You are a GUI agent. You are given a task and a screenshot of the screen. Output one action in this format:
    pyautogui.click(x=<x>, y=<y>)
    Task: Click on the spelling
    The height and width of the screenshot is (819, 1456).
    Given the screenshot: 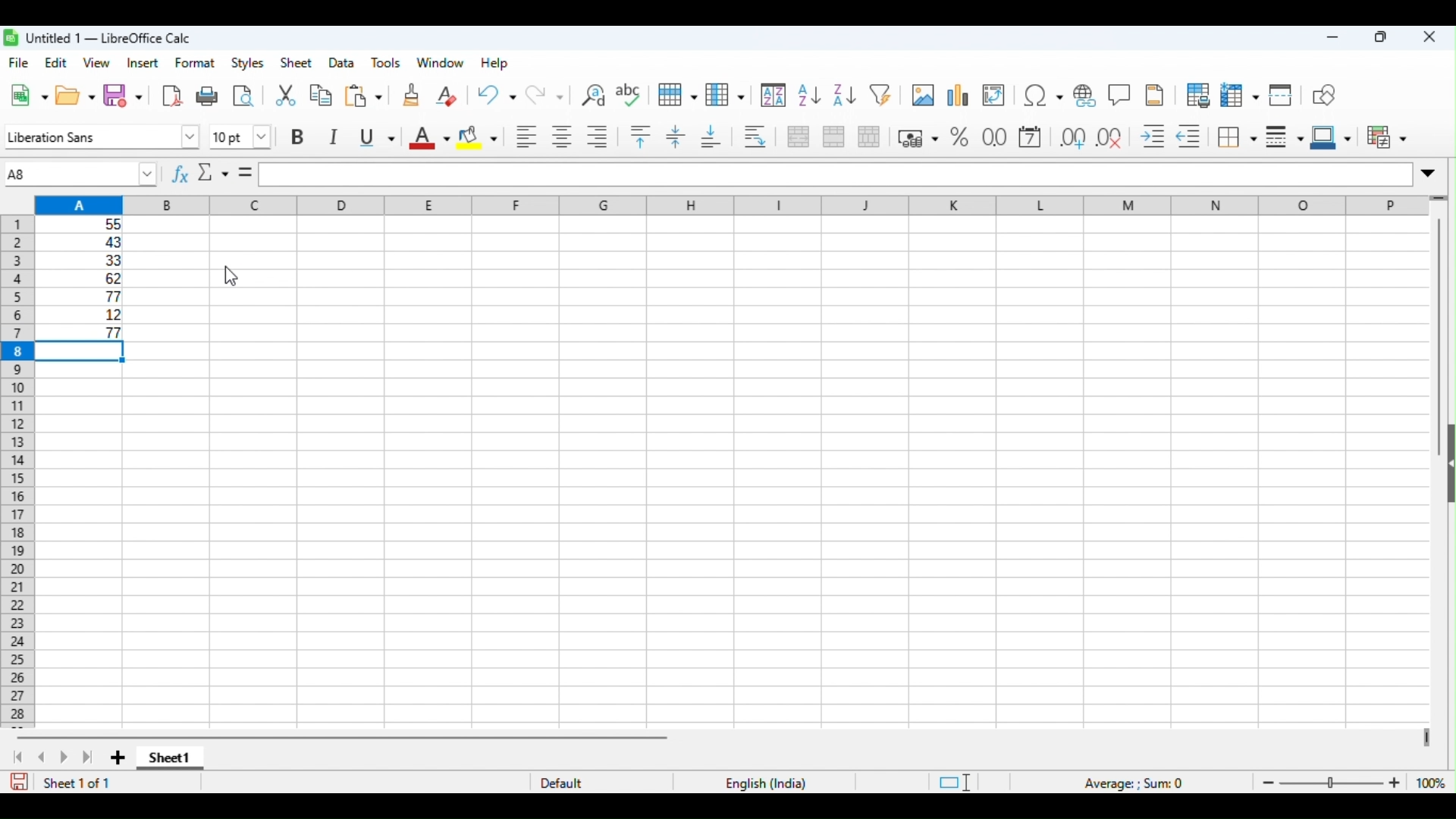 What is the action you would take?
    pyautogui.click(x=631, y=94)
    